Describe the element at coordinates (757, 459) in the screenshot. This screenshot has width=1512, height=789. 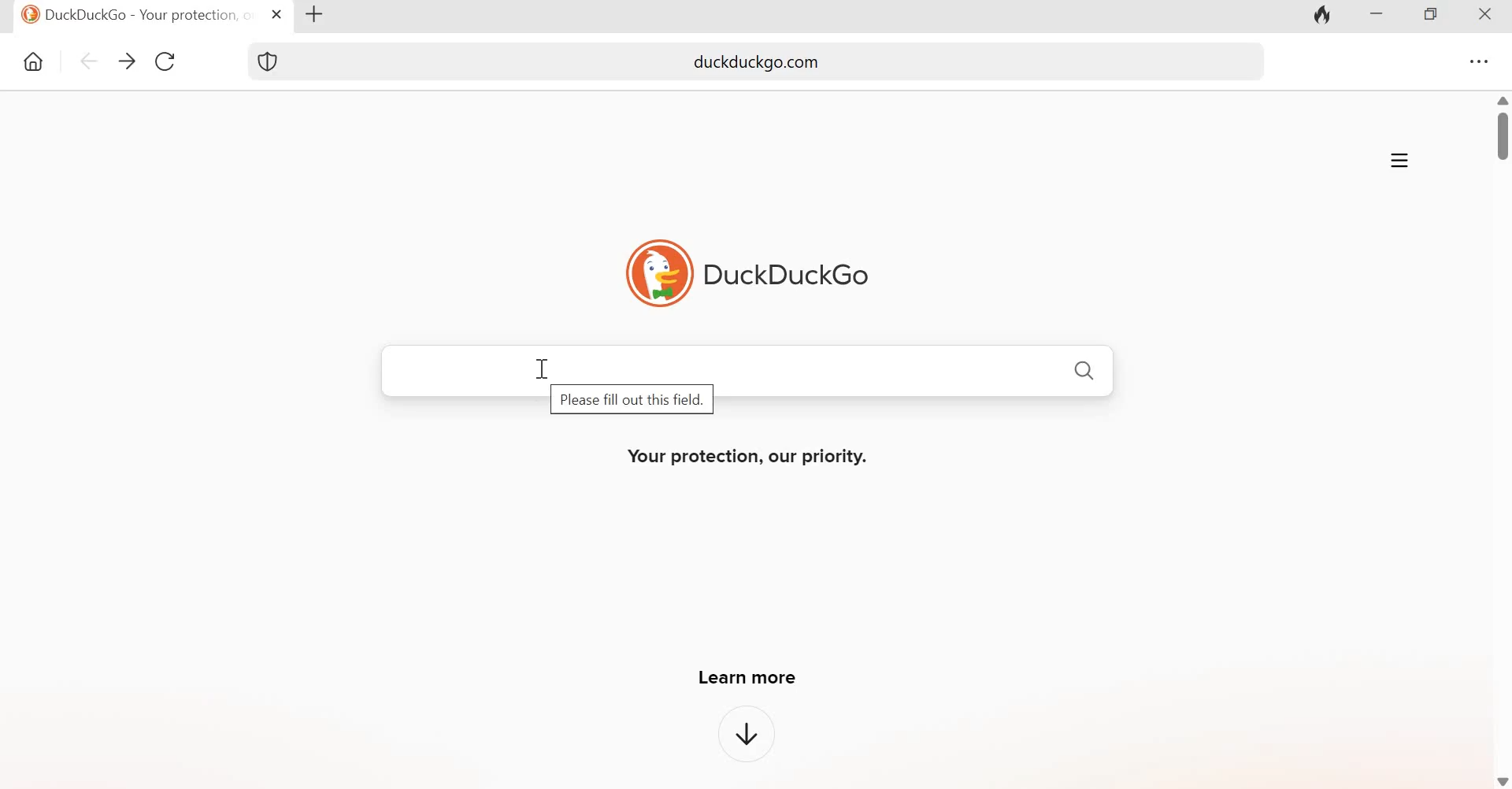
I see `Your protection, our priority. ` at that location.